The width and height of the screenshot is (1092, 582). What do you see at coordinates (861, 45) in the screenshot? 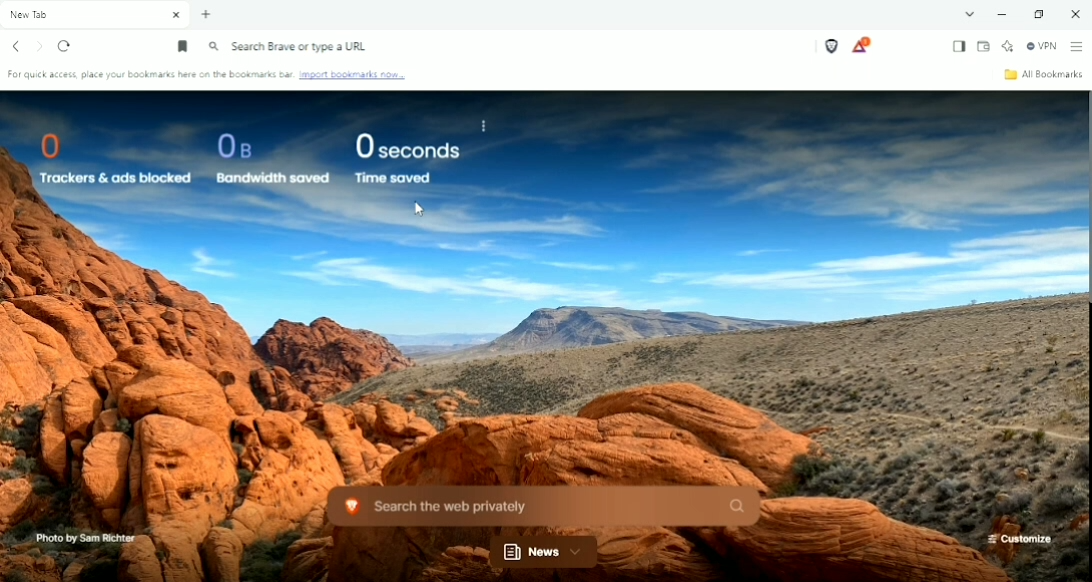
I see `Rewards` at bounding box center [861, 45].